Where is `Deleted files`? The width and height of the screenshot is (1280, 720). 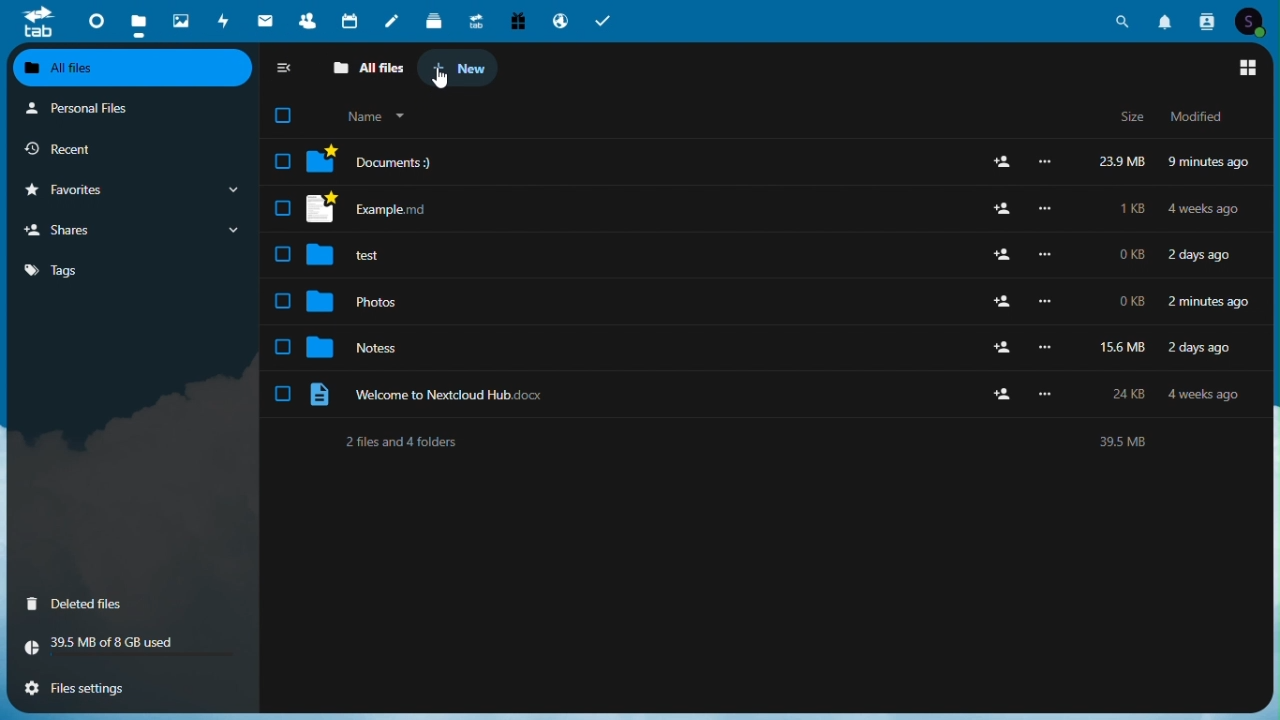
Deleted files is located at coordinates (93, 606).